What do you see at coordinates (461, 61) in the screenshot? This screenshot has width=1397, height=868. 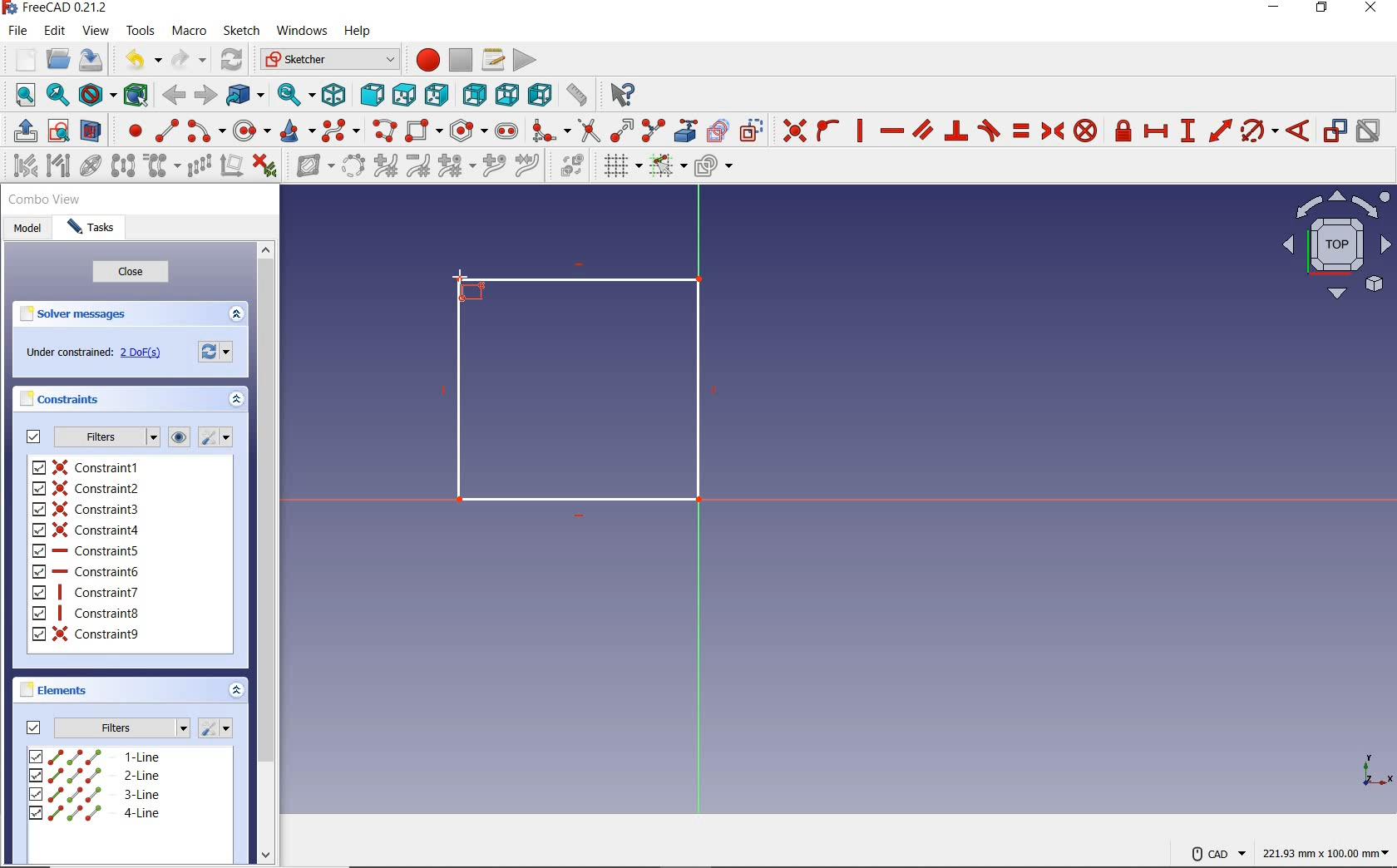 I see `stop macro recording` at bounding box center [461, 61].